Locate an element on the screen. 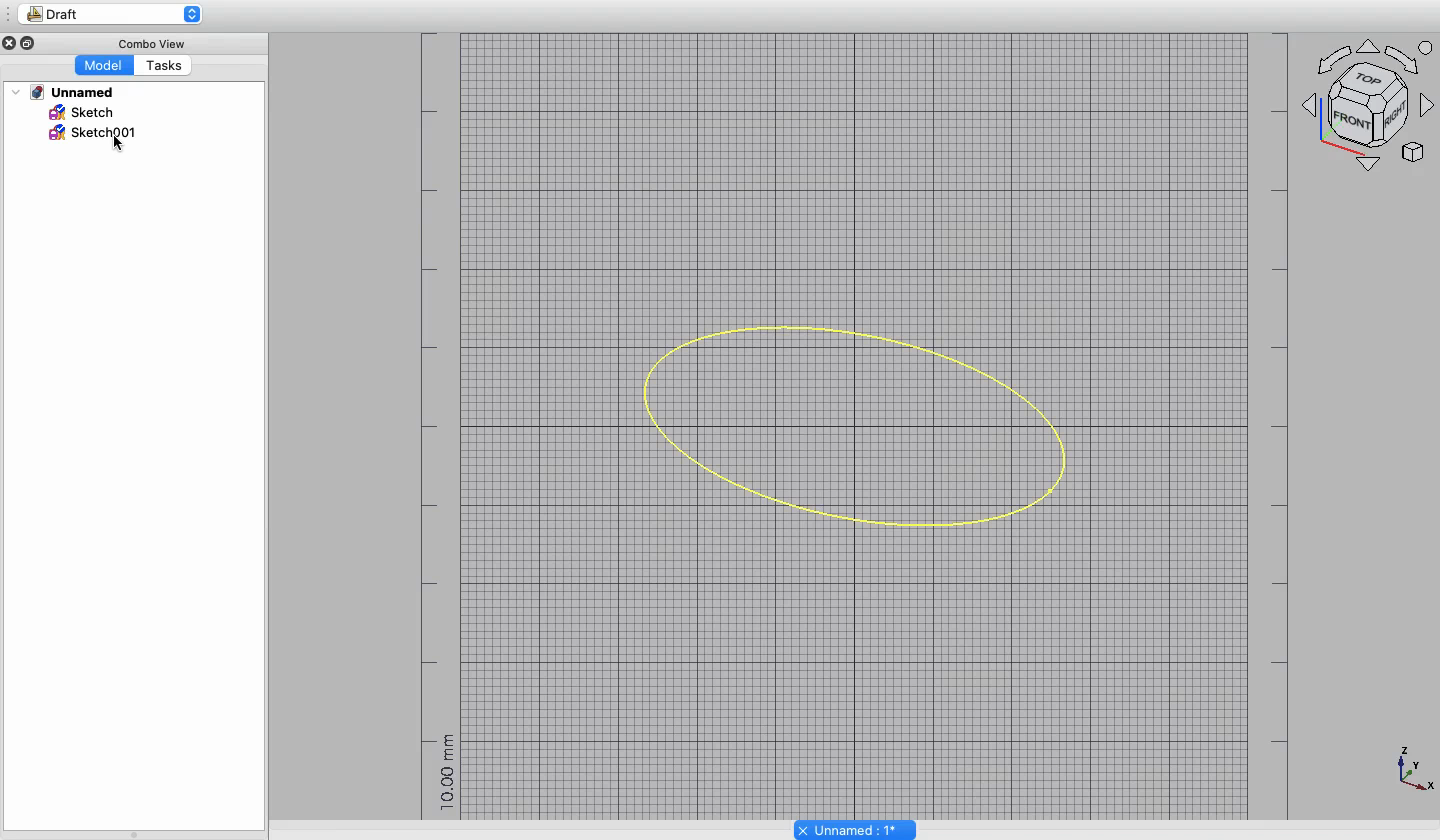 Image resolution: width=1440 pixels, height=840 pixels. Unnamed: 1 is located at coordinates (856, 828).